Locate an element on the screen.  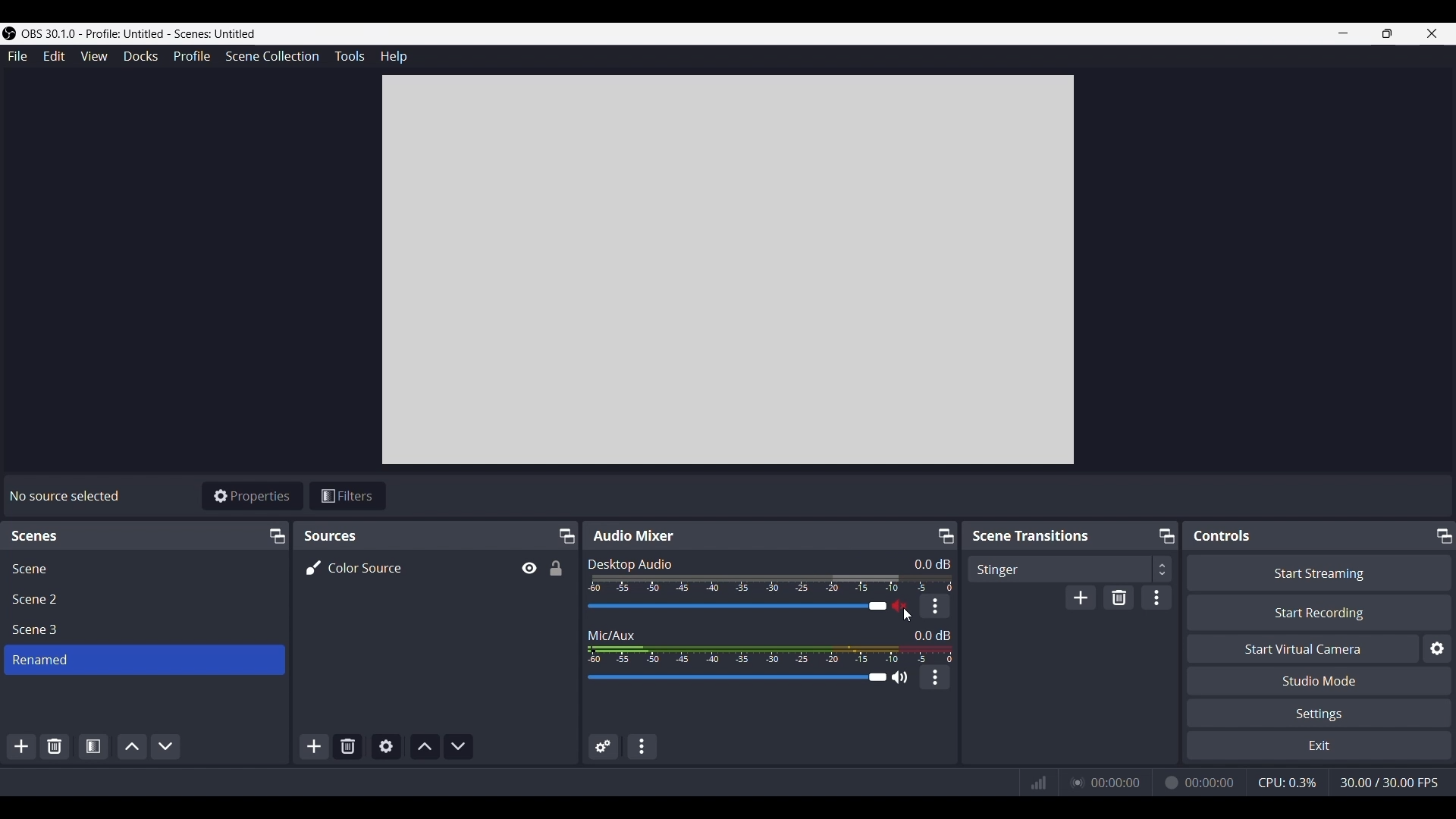
Scenes is located at coordinates (37, 535).